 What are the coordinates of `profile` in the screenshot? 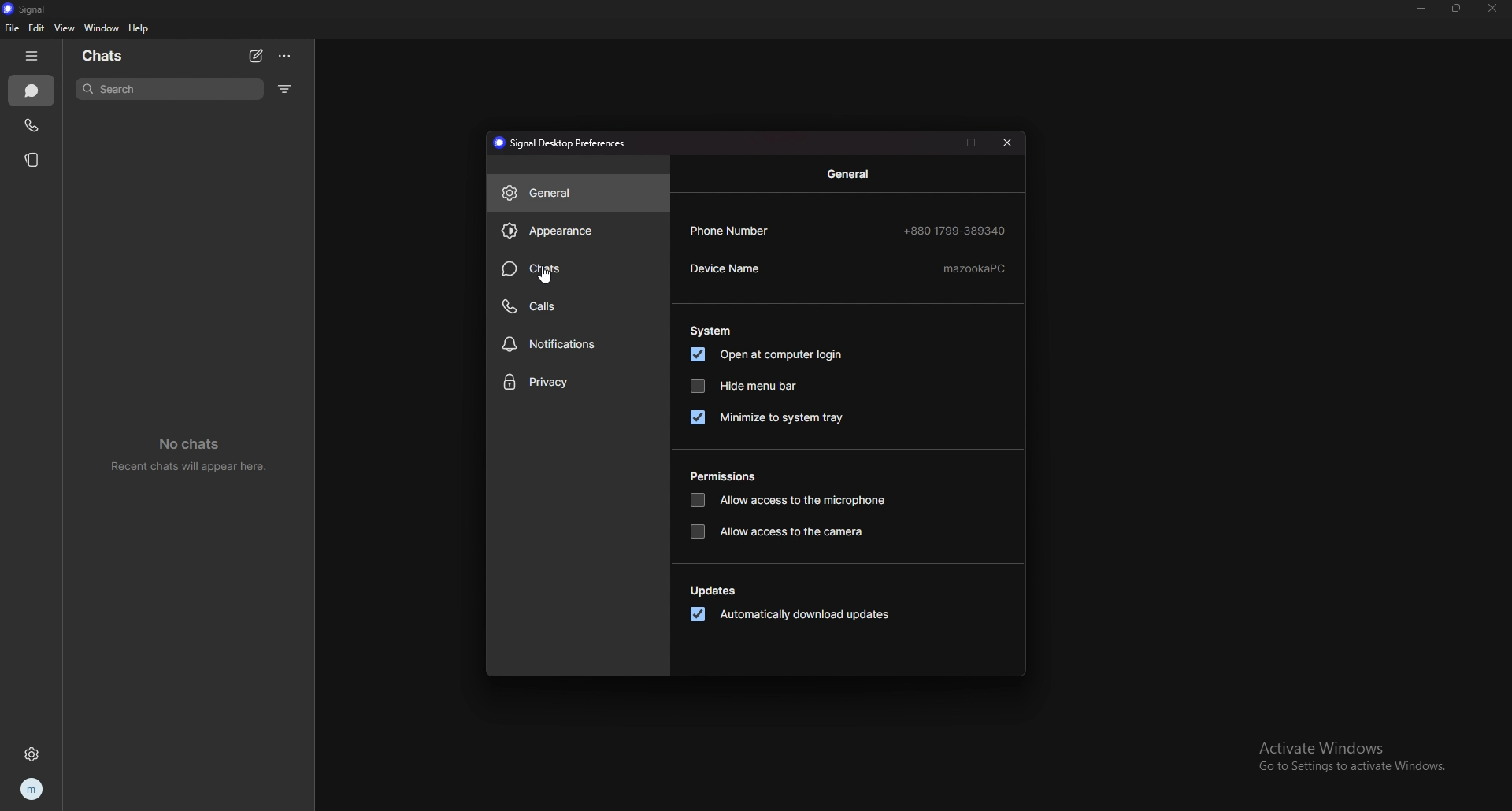 It's located at (34, 789).